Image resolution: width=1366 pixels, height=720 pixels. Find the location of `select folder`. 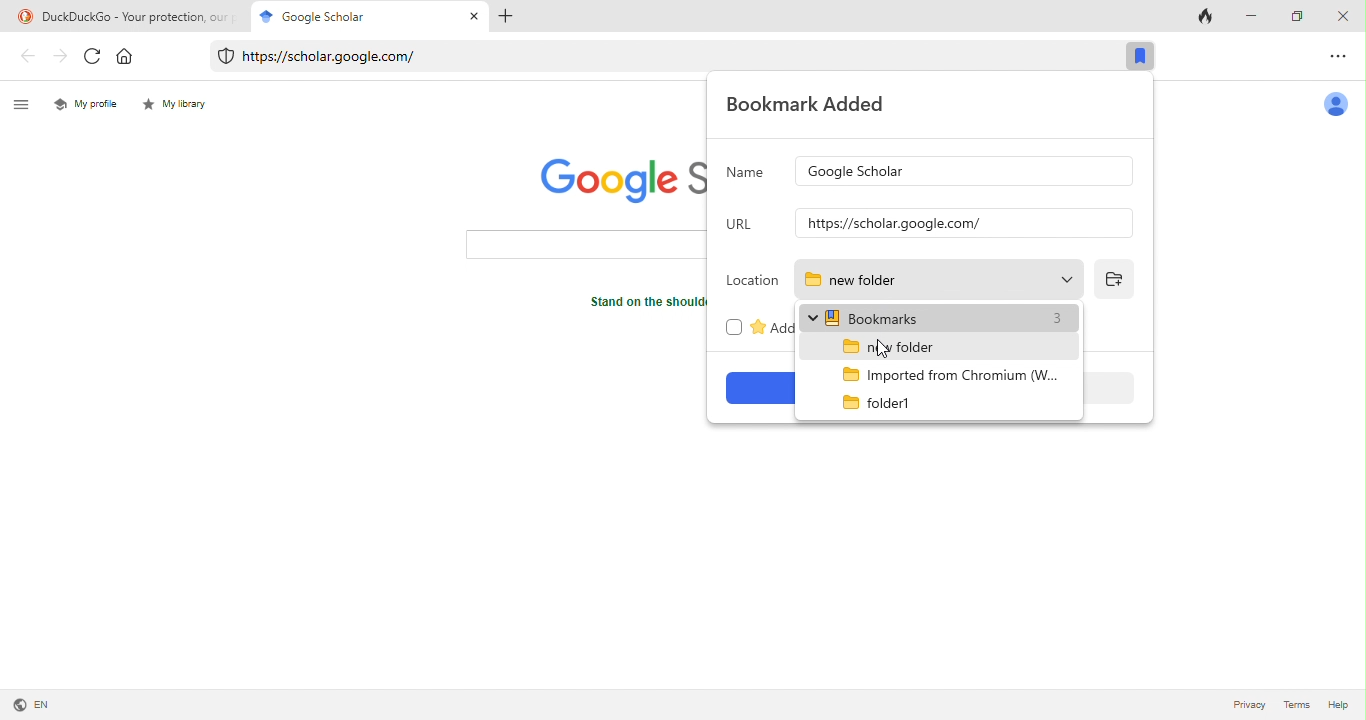

select folder is located at coordinates (899, 346).